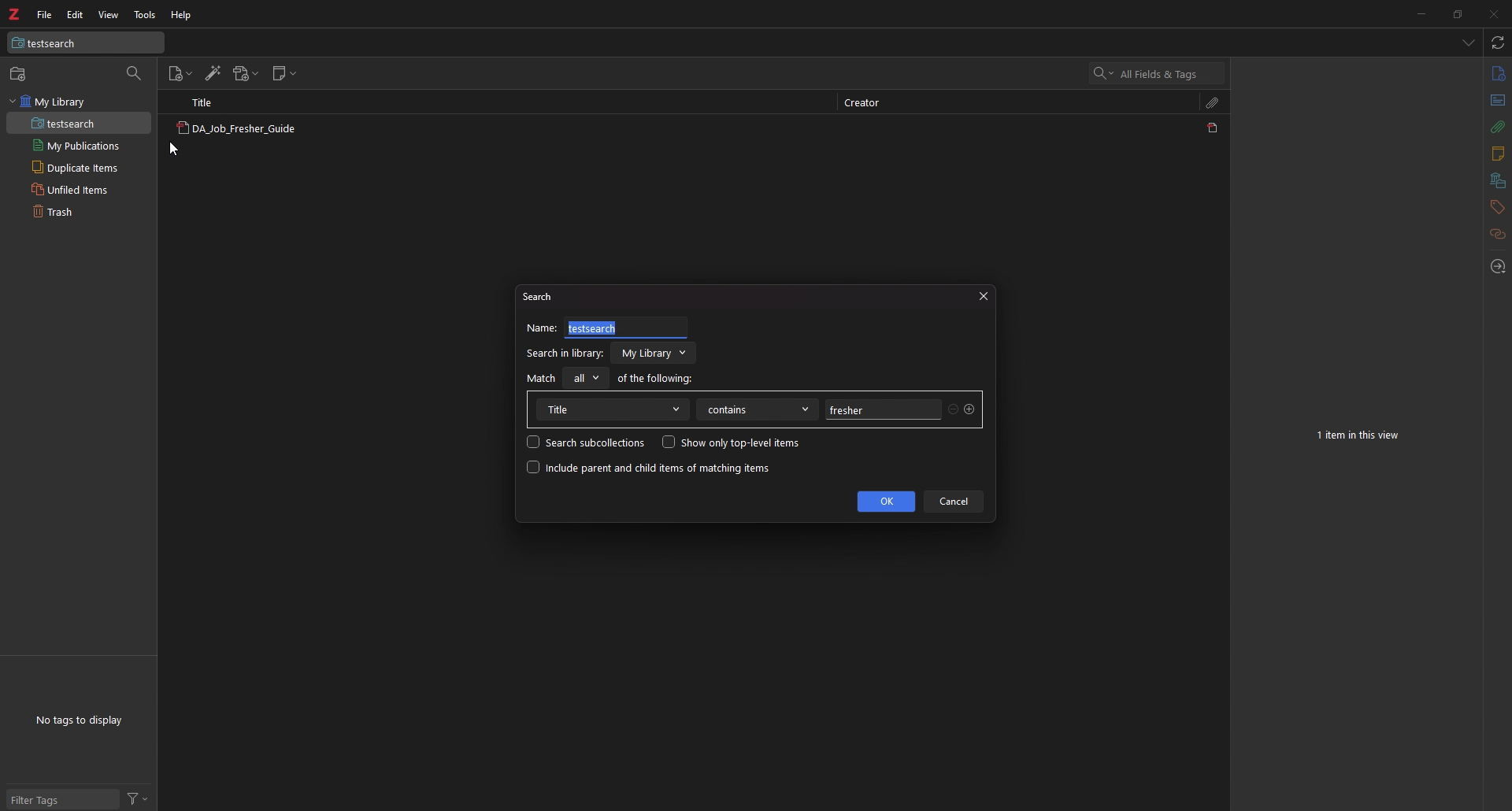 This screenshot has height=811, width=1512. I want to click on show only top level items, so click(731, 442).